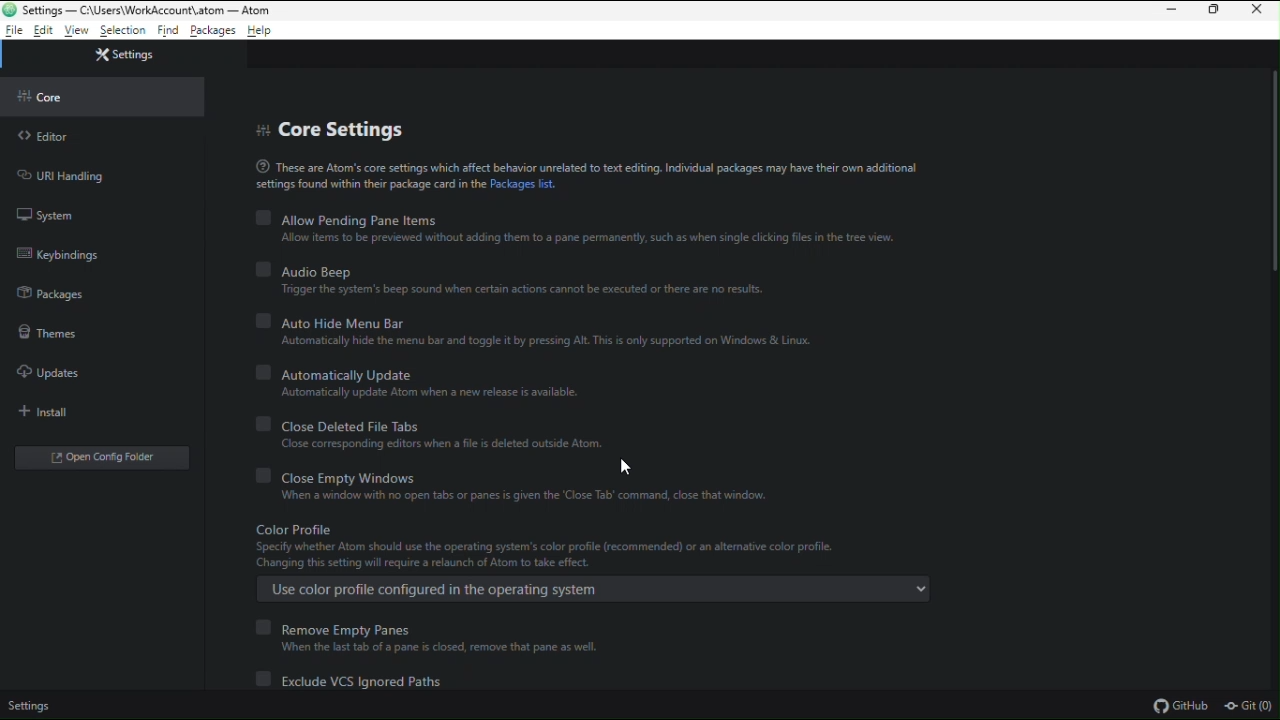 The image size is (1280, 720). Describe the element at coordinates (123, 32) in the screenshot. I see `Selection` at that location.